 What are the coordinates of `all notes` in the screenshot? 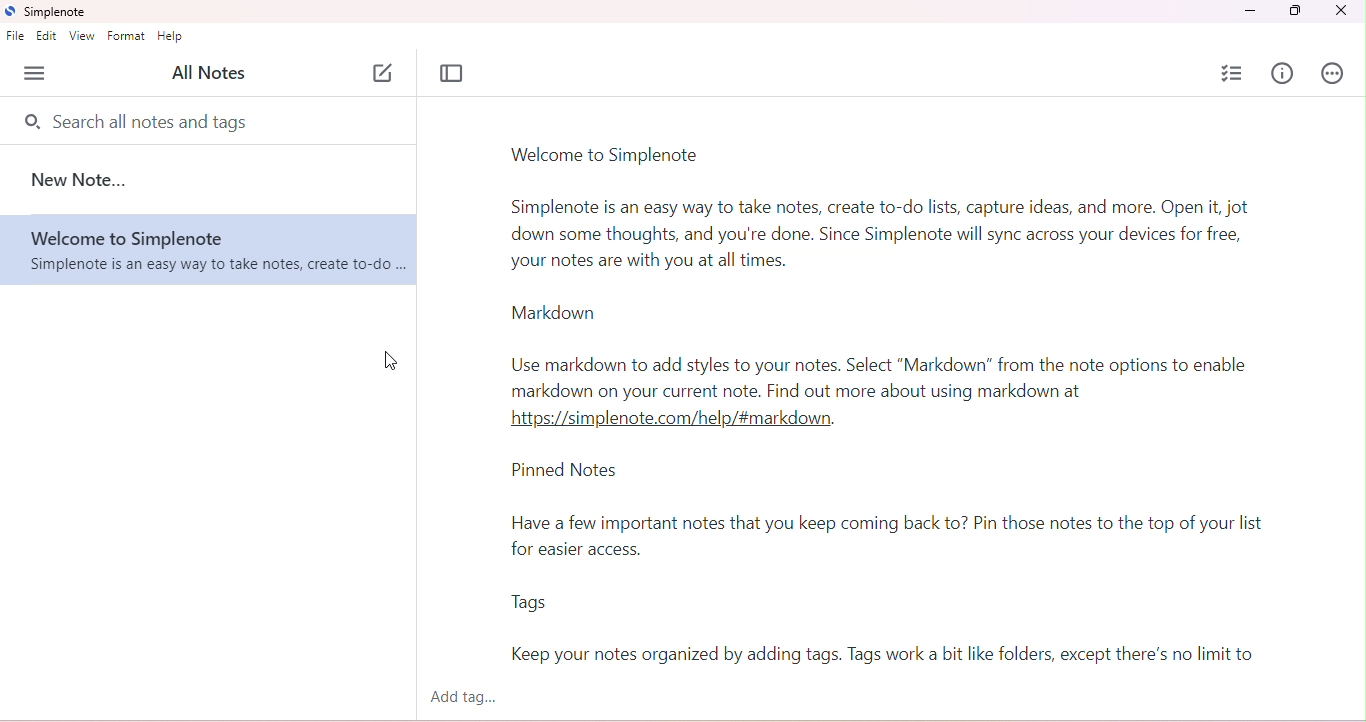 It's located at (216, 72).